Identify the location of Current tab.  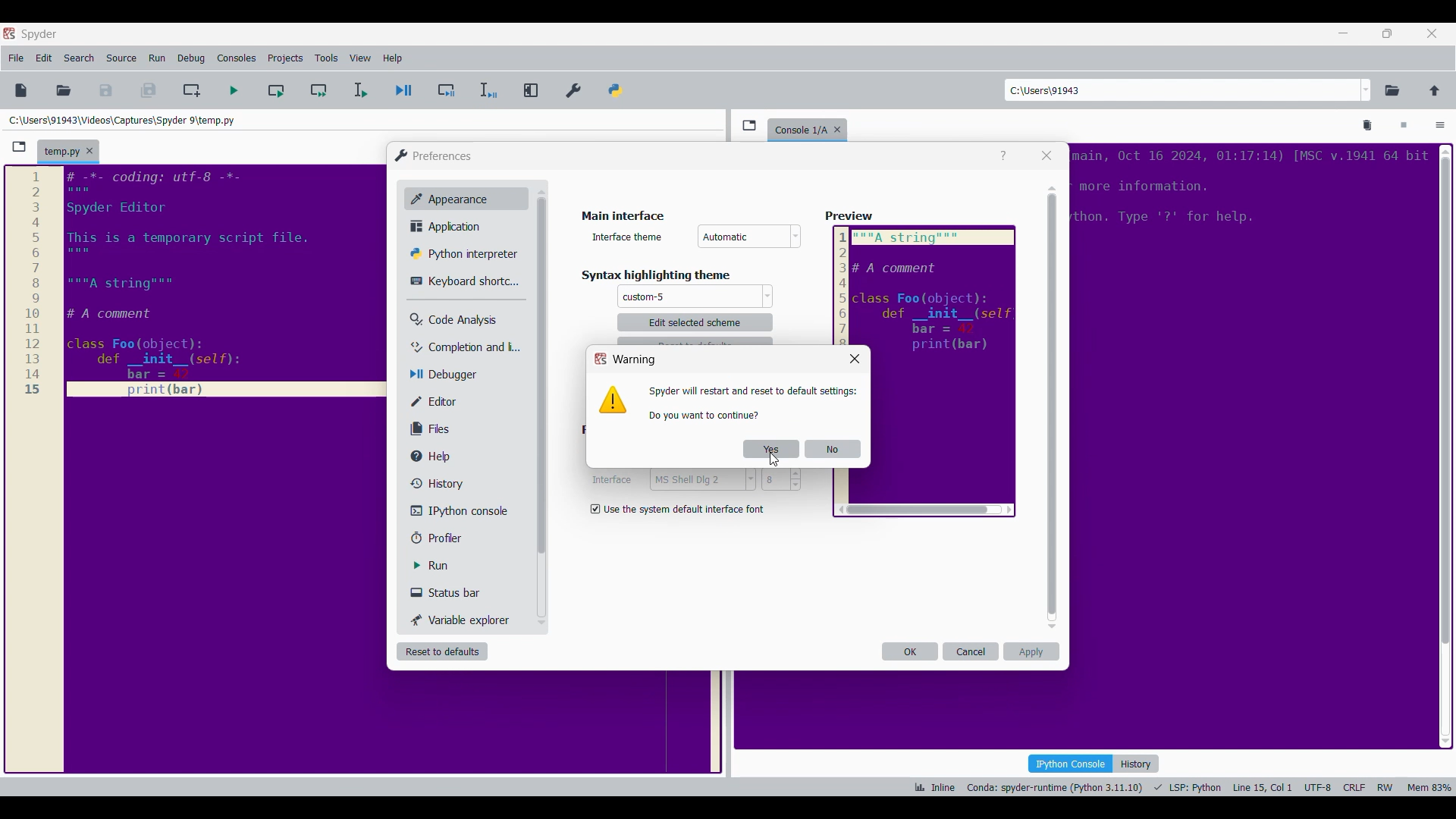
(799, 130).